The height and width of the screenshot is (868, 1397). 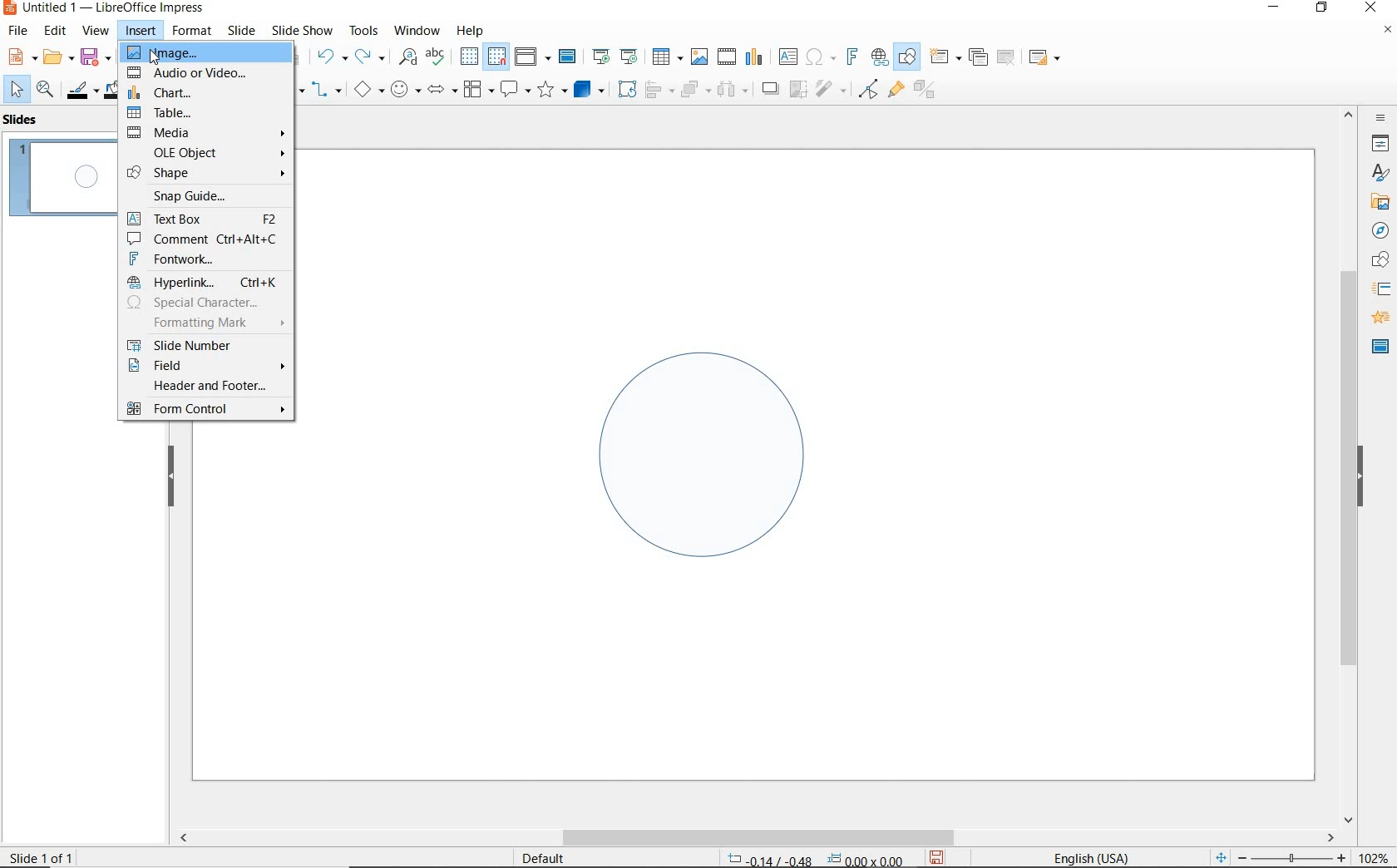 I want to click on flowchart, so click(x=477, y=91).